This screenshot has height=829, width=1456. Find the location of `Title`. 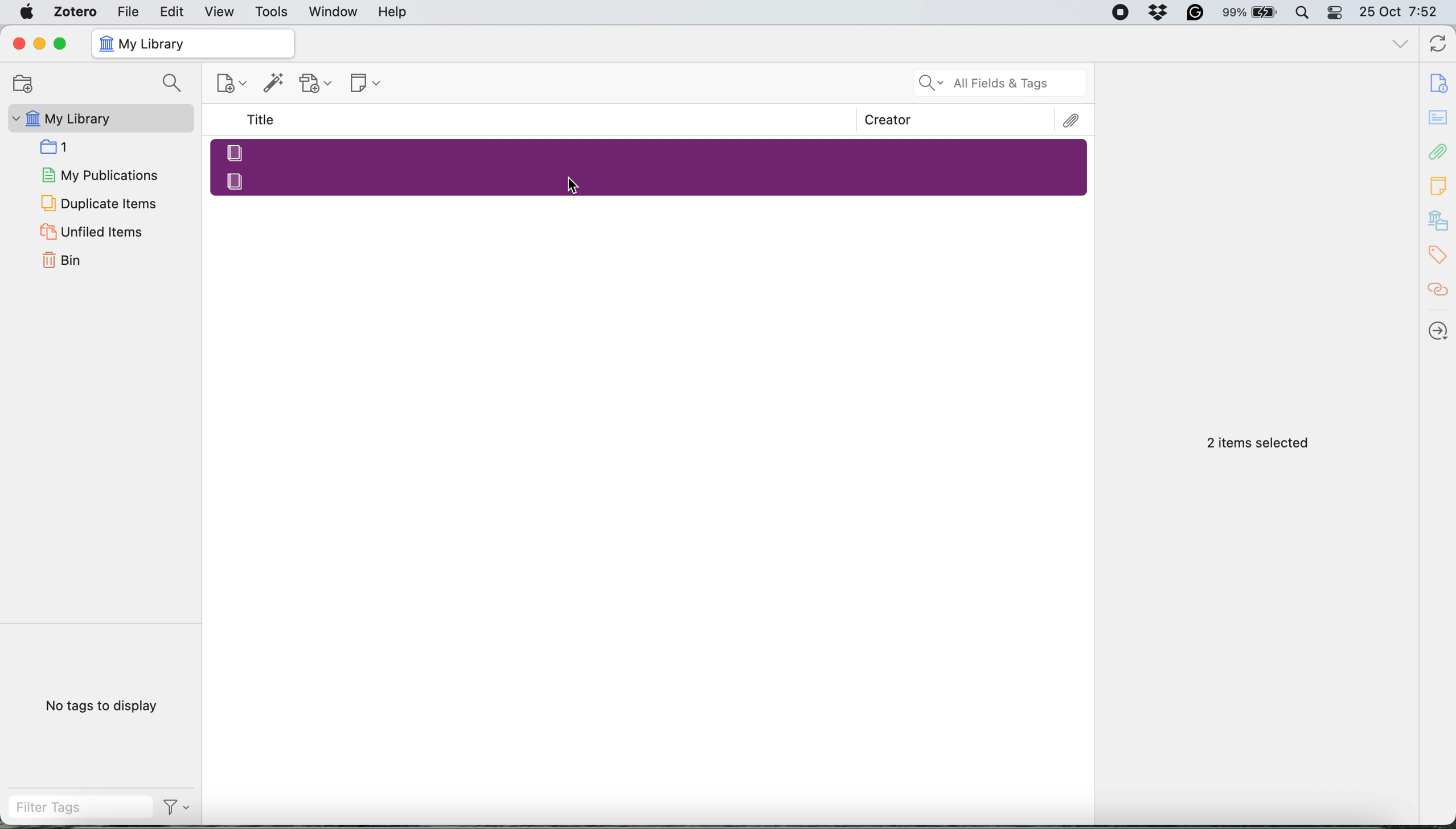

Title is located at coordinates (263, 120).